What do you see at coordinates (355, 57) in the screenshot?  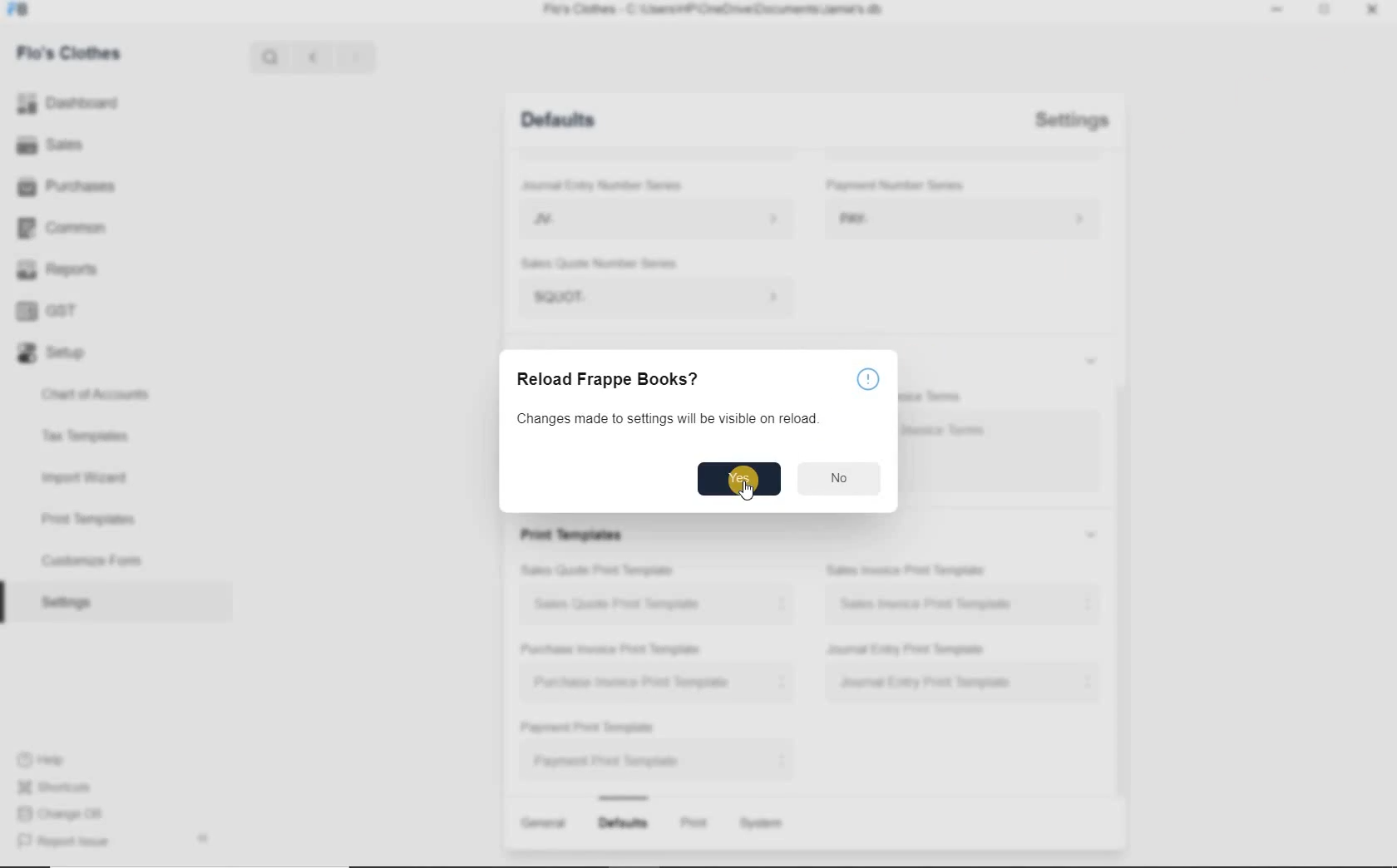 I see `Next` at bounding box center [355, 57].